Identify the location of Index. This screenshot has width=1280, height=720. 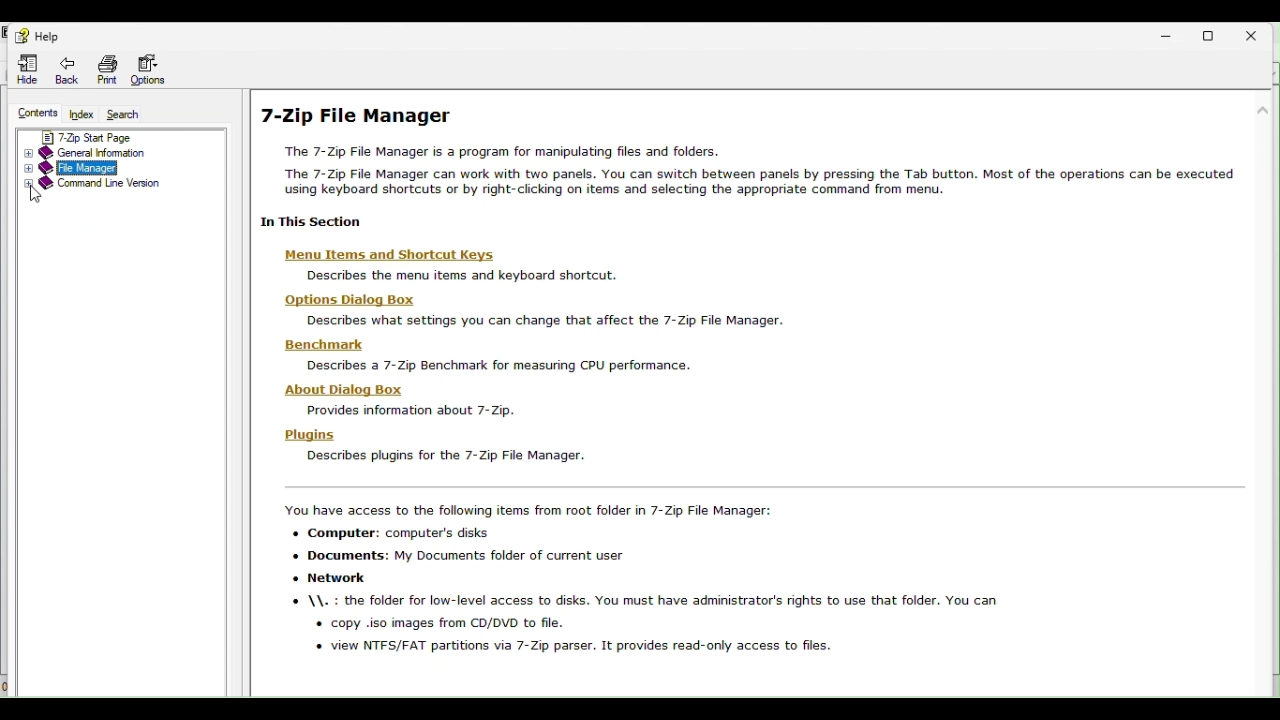
(83, 112).